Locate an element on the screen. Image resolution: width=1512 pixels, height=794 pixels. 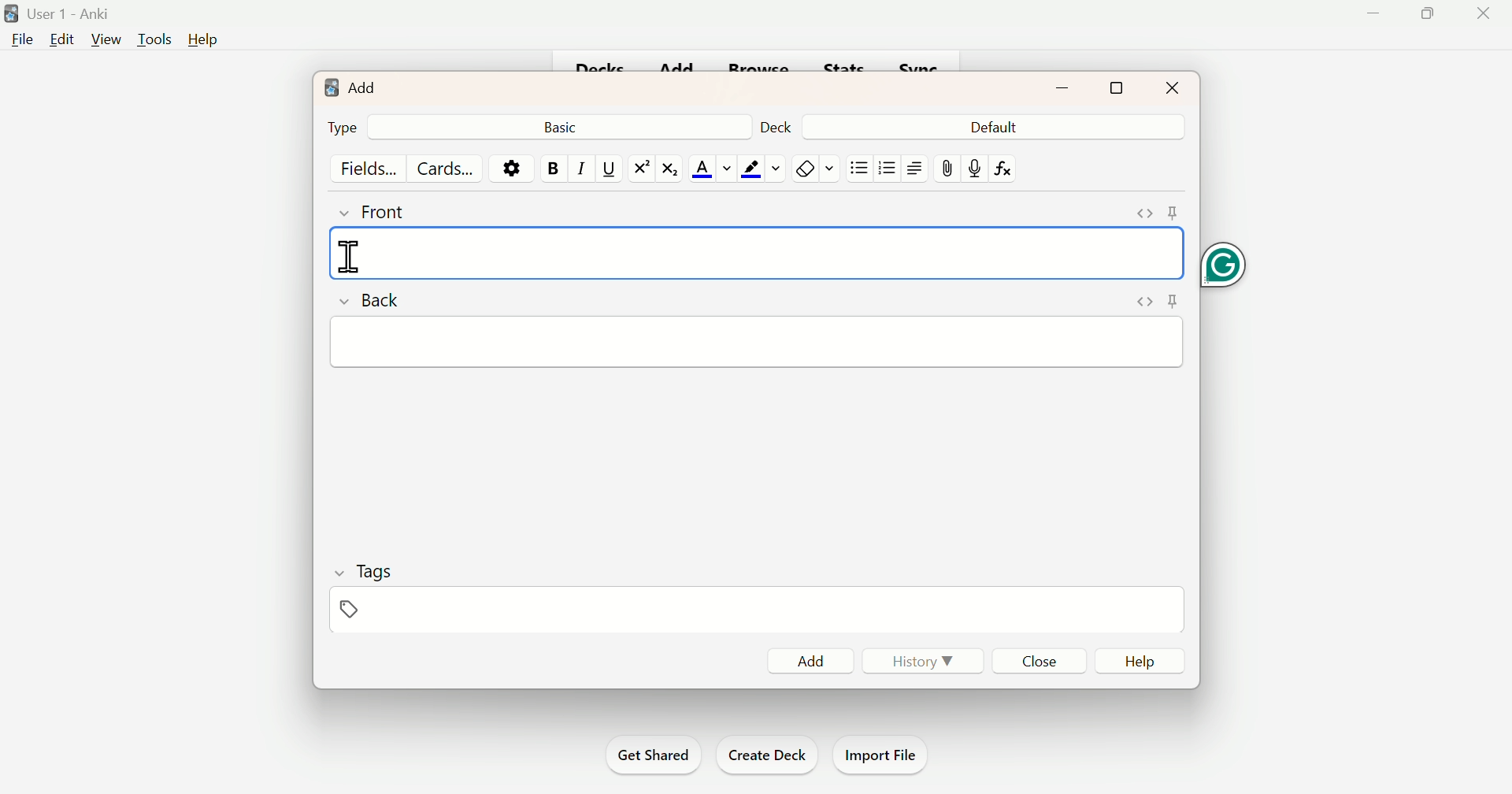
View is located at coordinates (104, 40).